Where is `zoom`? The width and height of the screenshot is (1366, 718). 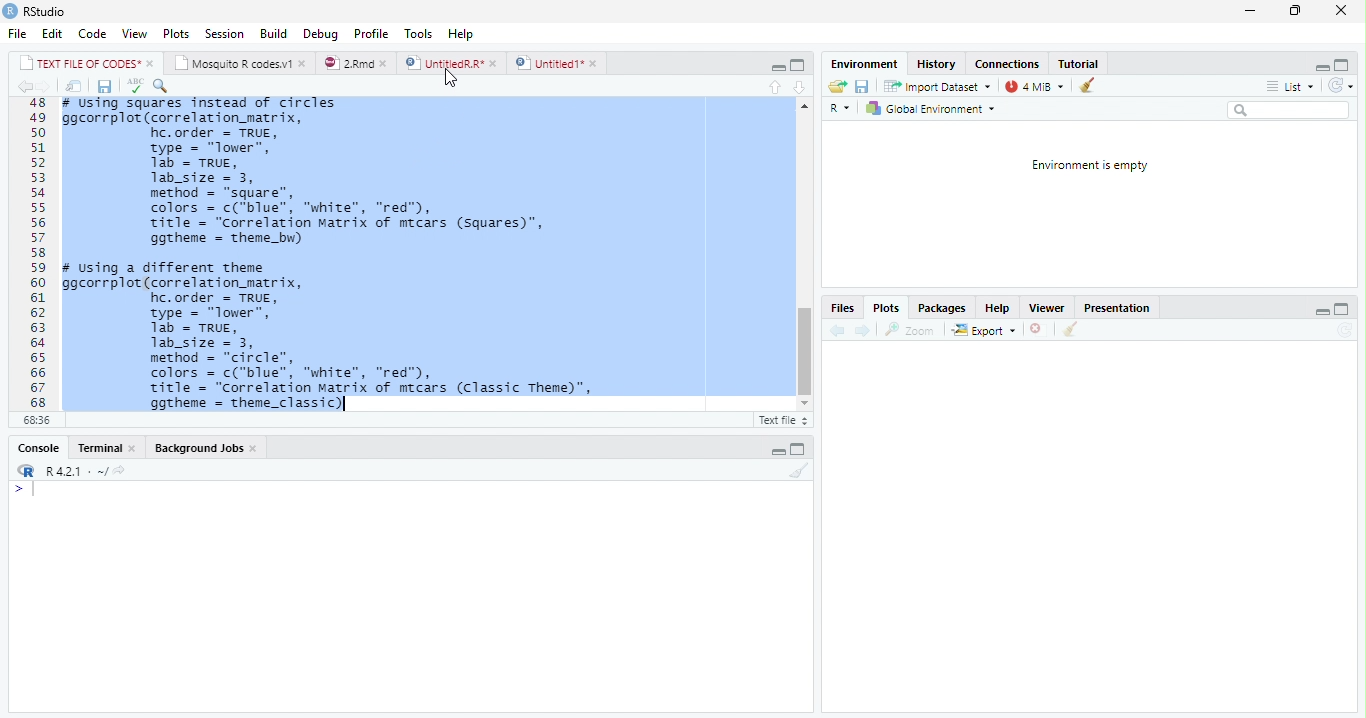
zoom is located at coordinates (914, 330).